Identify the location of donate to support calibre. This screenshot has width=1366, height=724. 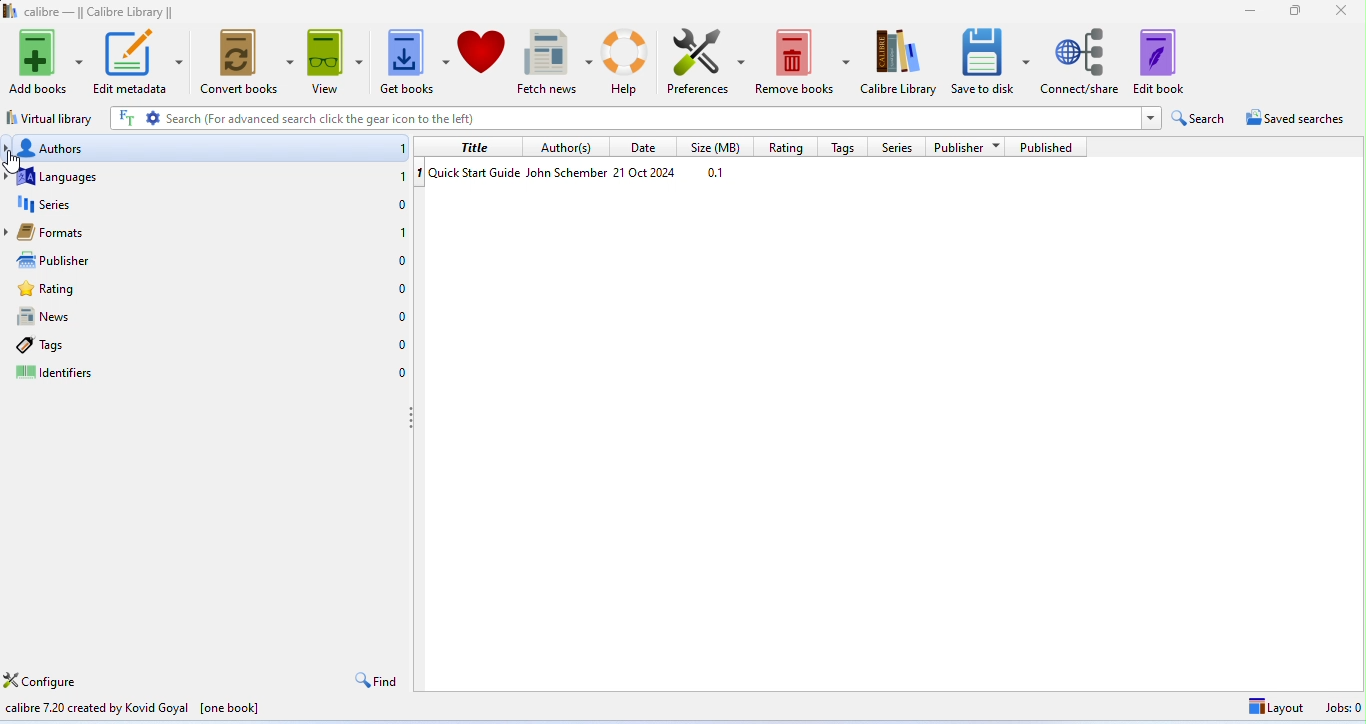
(483, 55).